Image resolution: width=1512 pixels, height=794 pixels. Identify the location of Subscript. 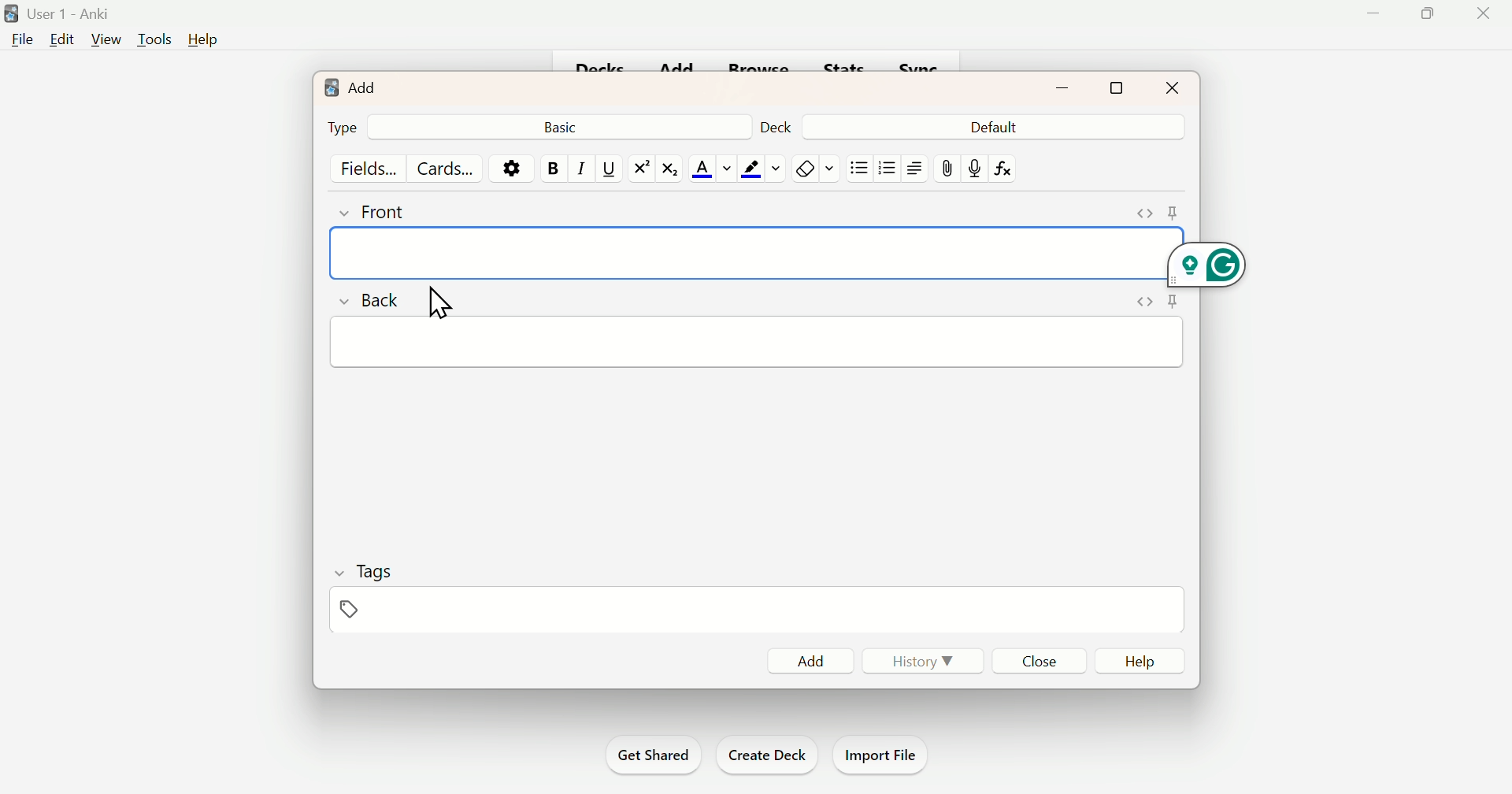
(669, 169).